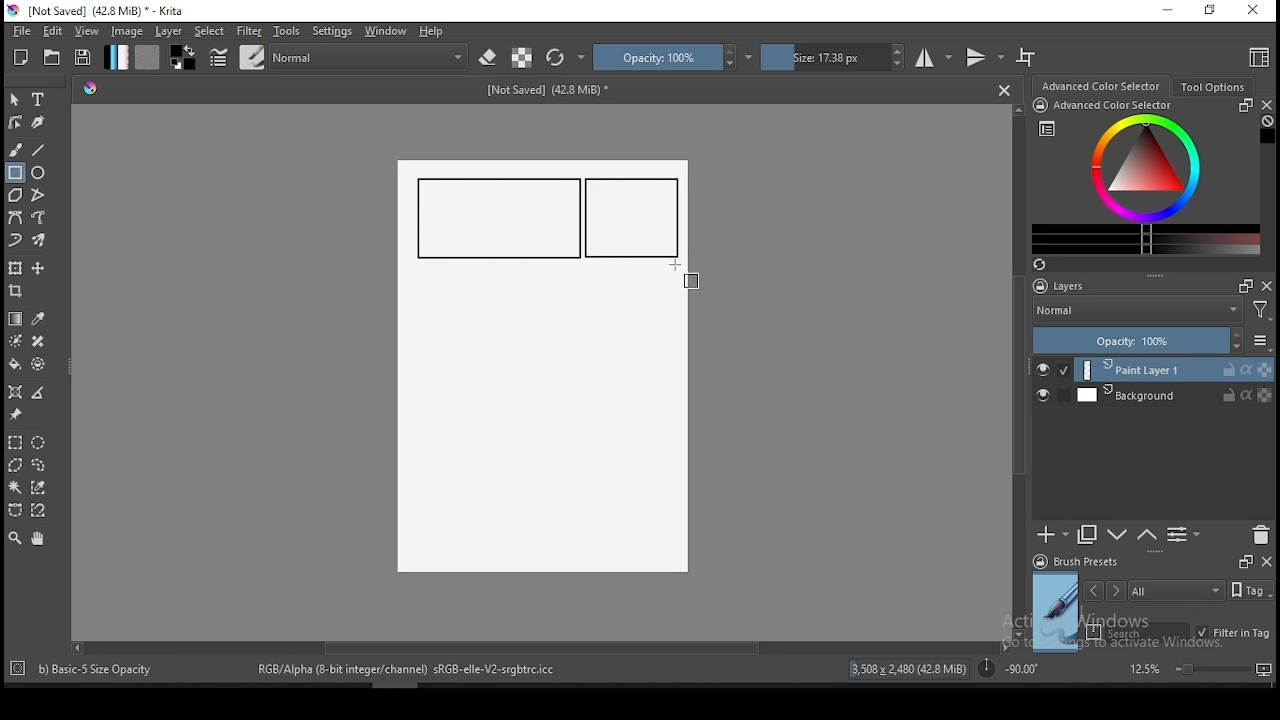  Describe the element at coordinates (1174, 395) in the screenshot. I see `layer` at that location.